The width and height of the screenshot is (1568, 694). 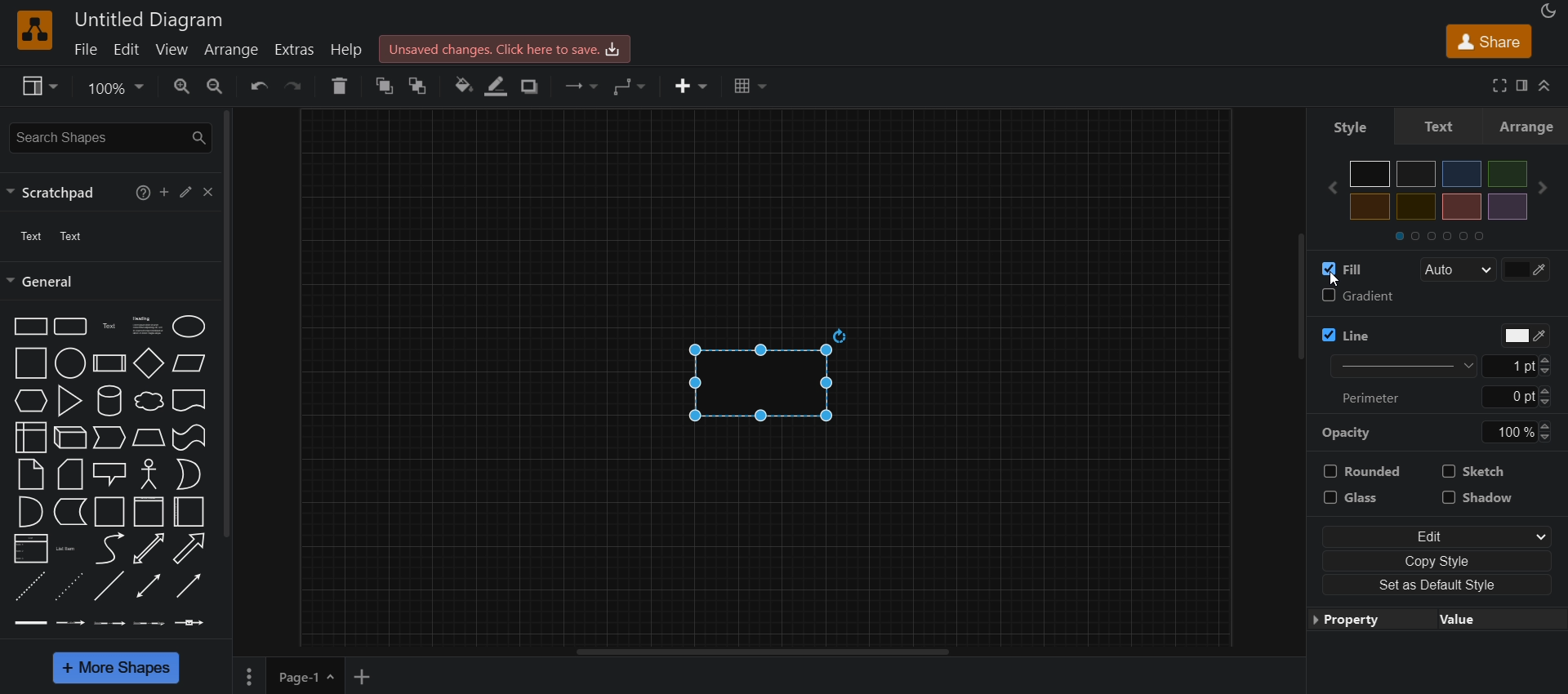 What do you see at coordinates (689, 87) in the screenshot?
I see `insert` at bounding box center [689, 87].